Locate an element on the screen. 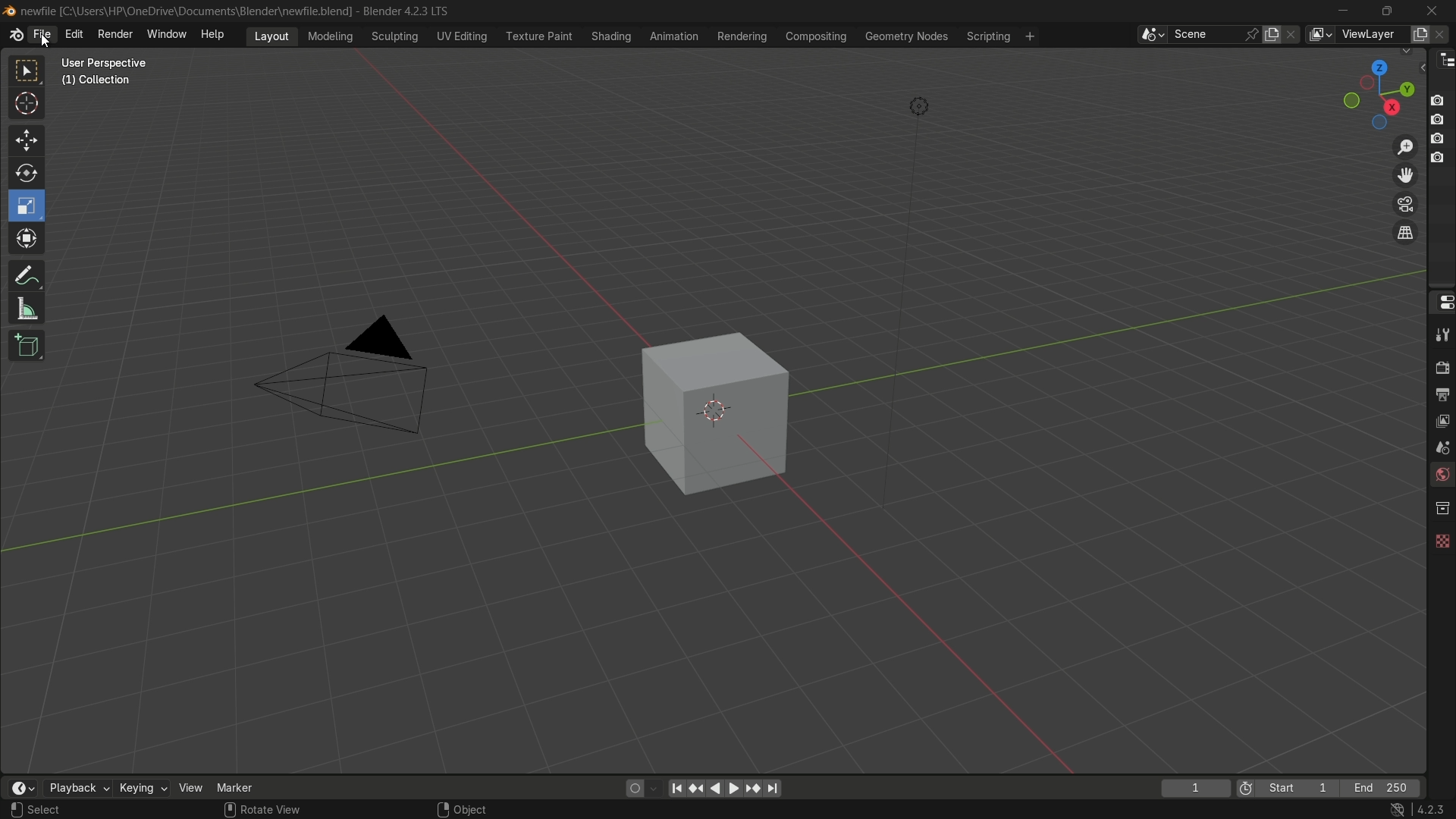  playback is located at coordinates (77, 788).